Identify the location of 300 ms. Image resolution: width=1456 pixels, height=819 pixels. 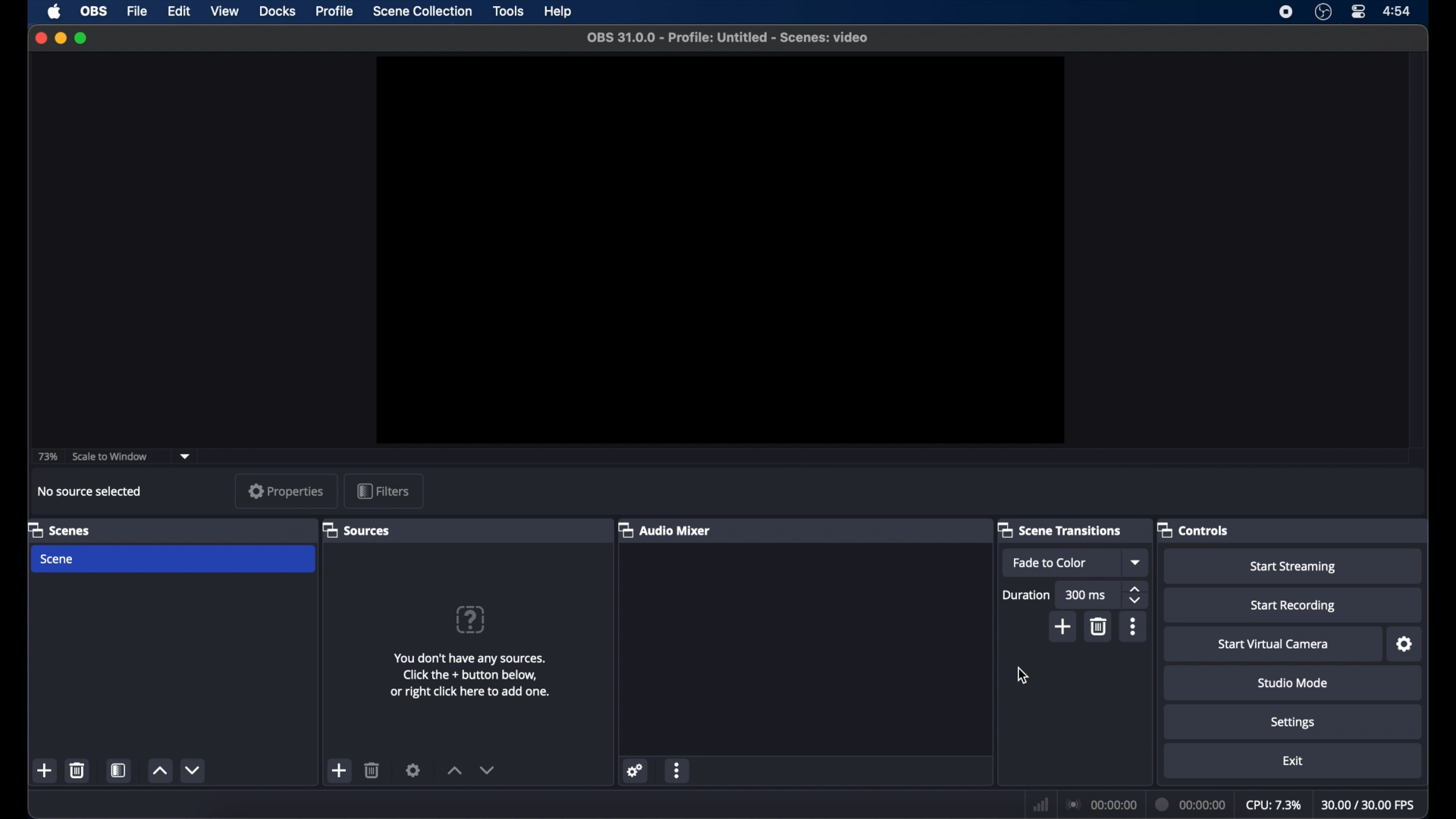
(1086, 595).